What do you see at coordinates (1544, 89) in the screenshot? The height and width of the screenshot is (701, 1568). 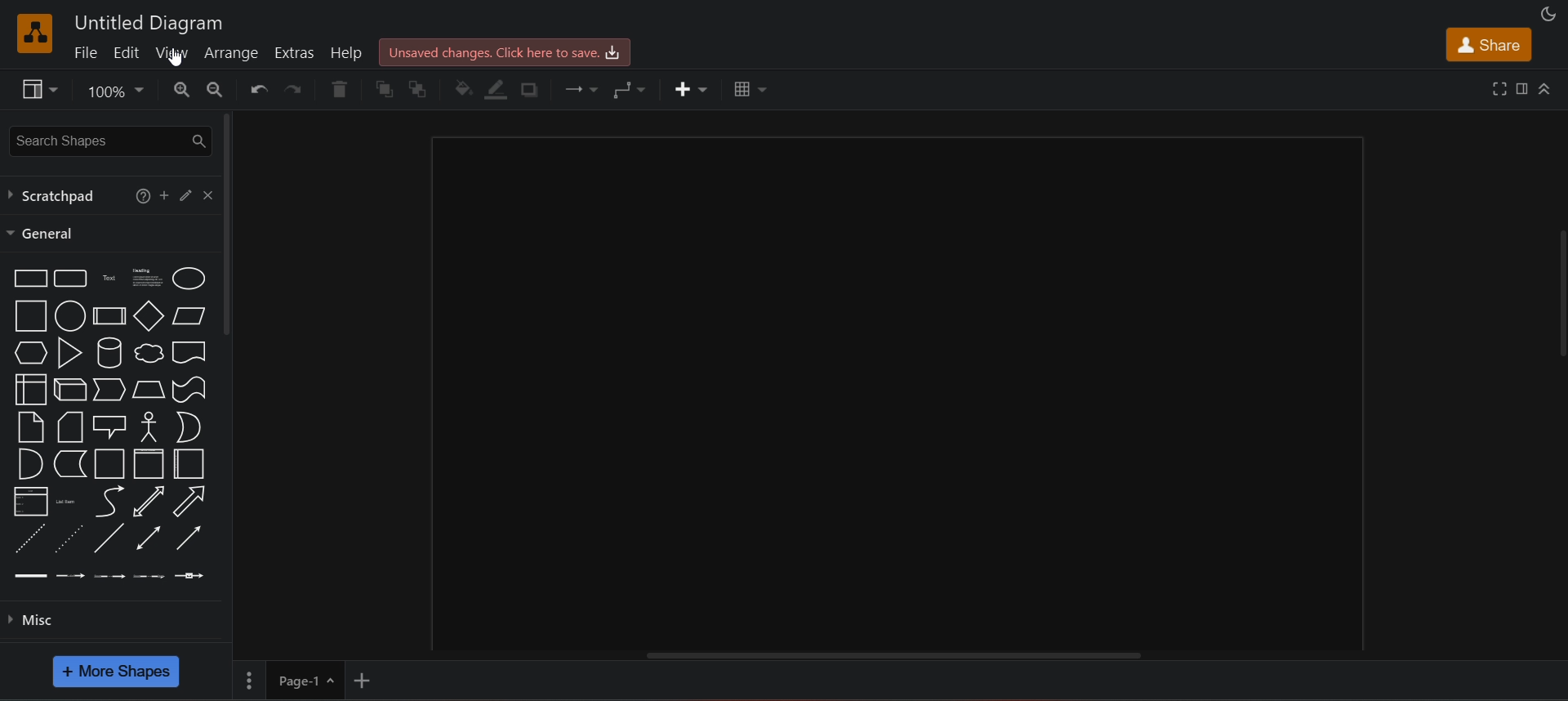 I see `collapse/expand` at bounding box center [1544, 89].